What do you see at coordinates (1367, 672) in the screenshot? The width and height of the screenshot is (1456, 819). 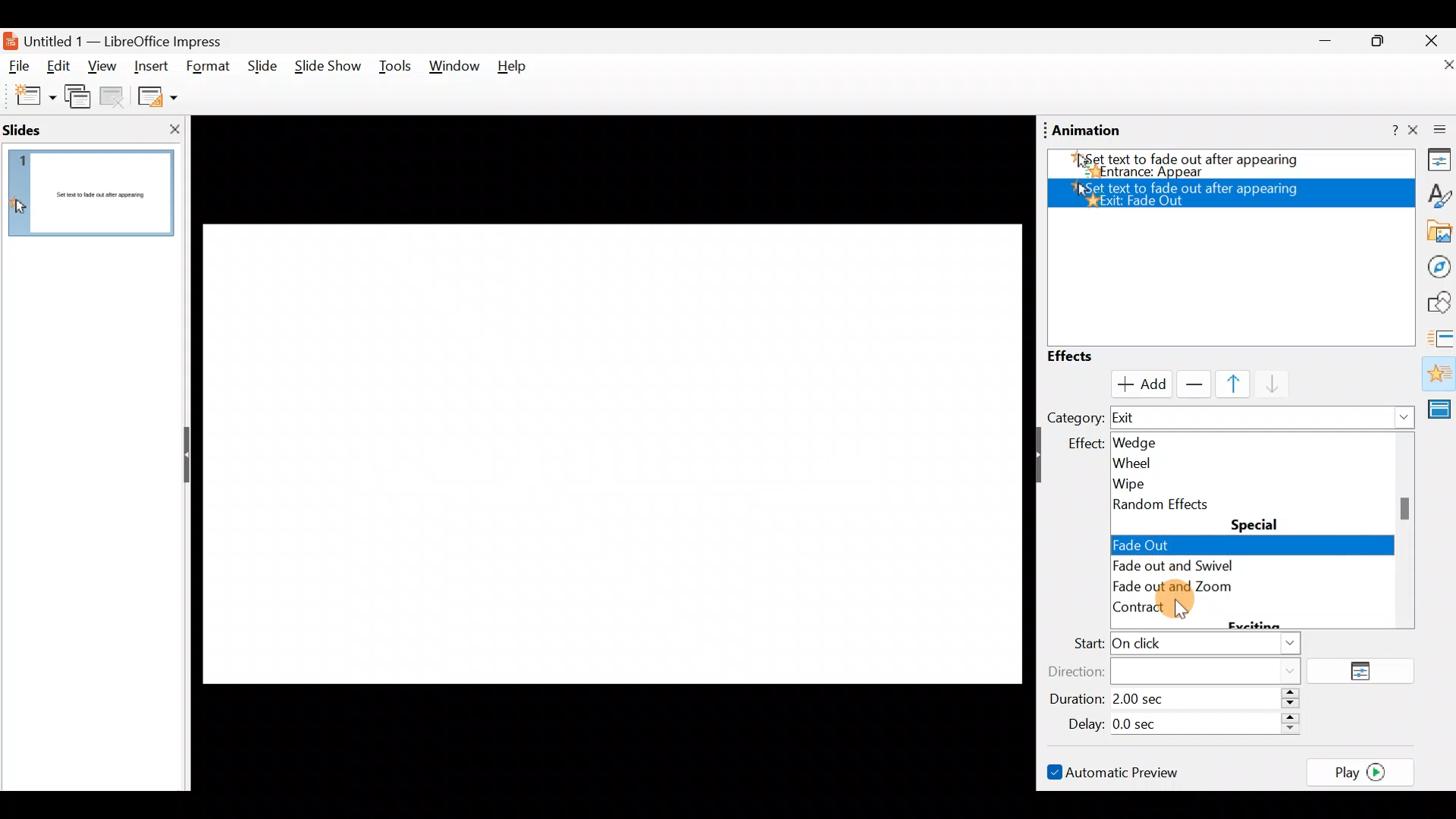 I see `Options` at bounding box center [1367, 672].